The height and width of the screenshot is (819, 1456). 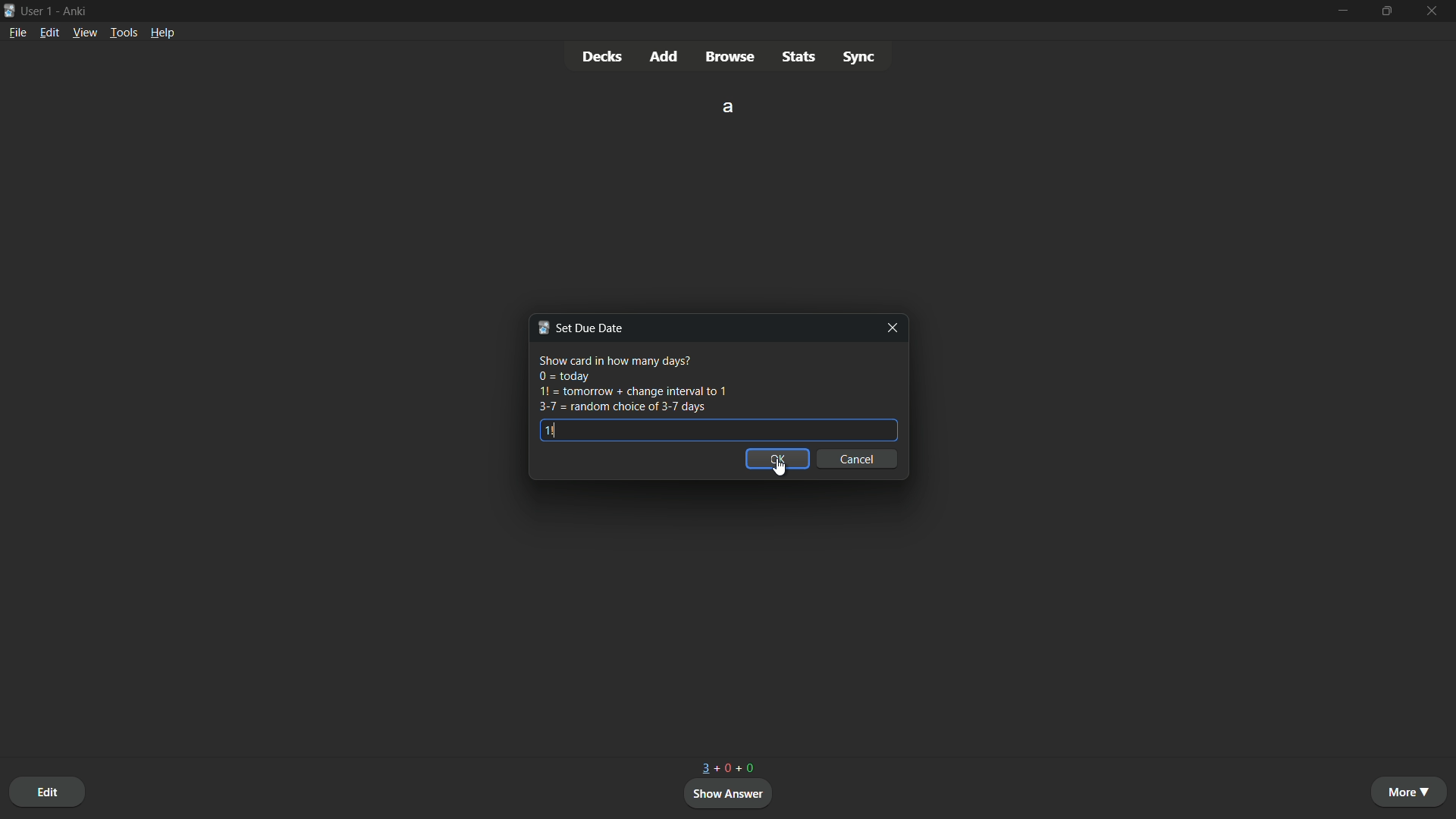 I want to click on +0, so click(x=750, y=769).